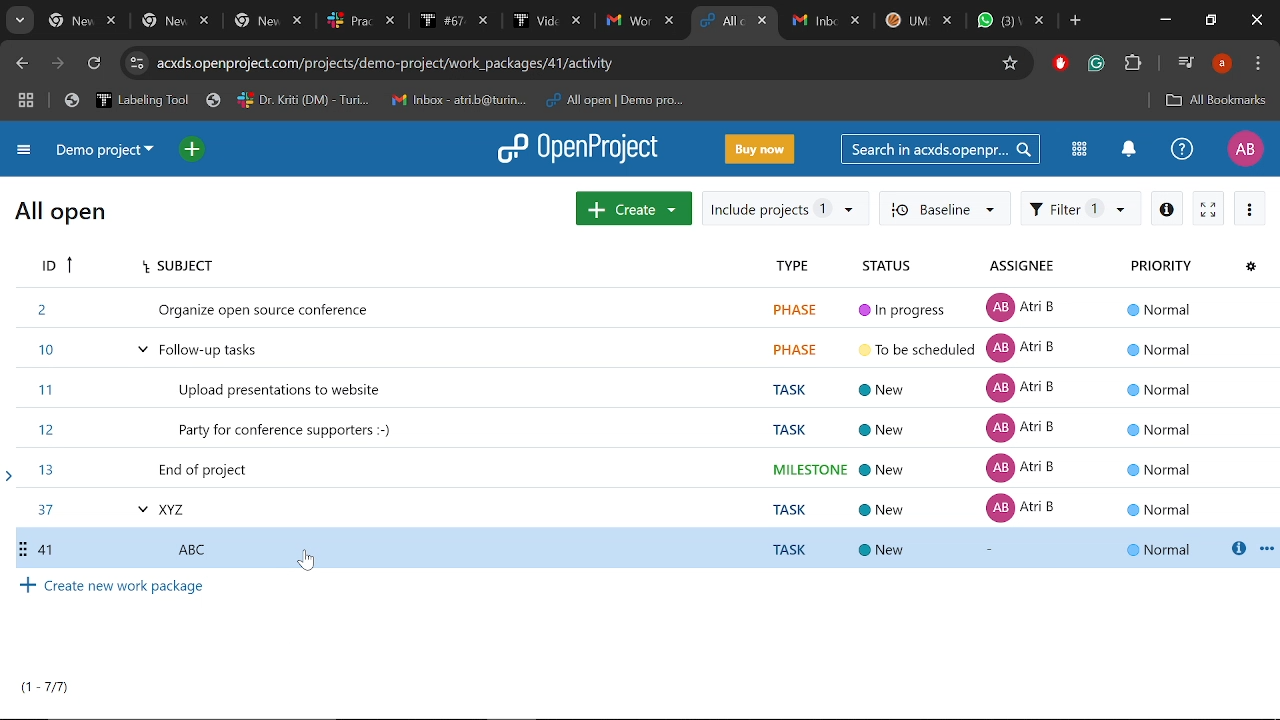  Describe the element at coordinates (571, 62) in the screenshot. I see `CIte address` at that location.